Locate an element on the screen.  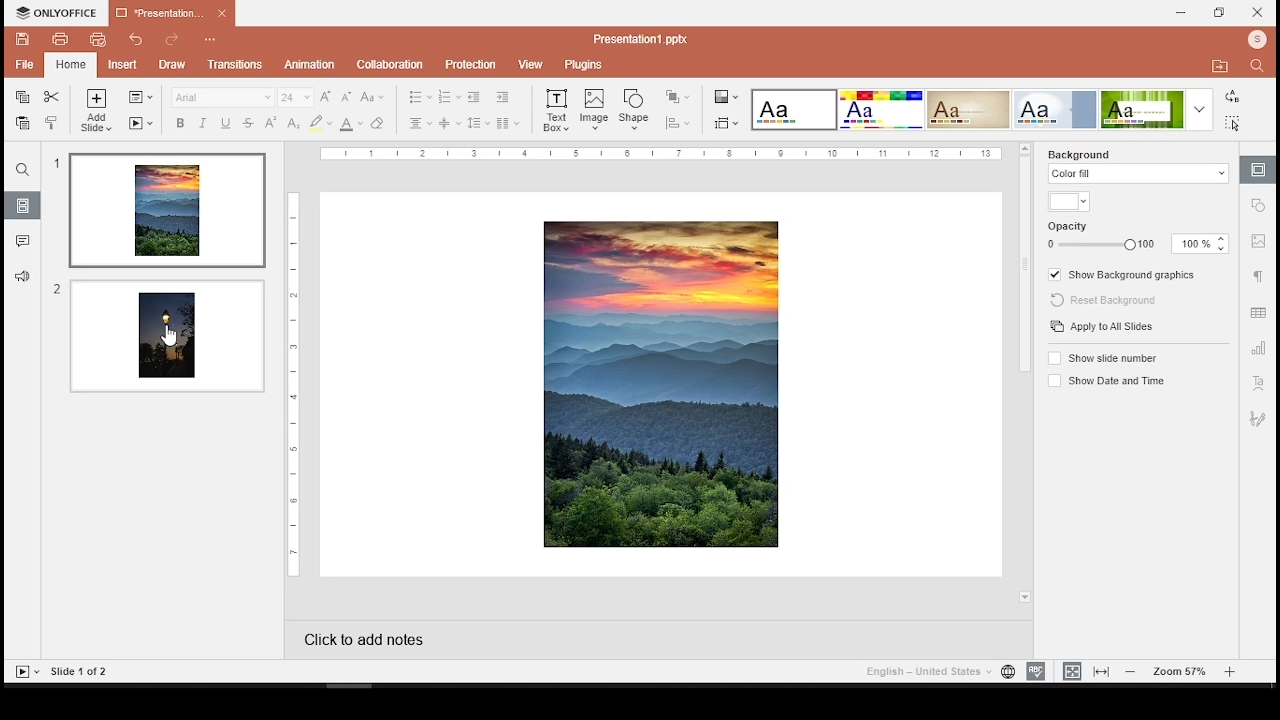
change color theme is located at coordinates (725, 96).